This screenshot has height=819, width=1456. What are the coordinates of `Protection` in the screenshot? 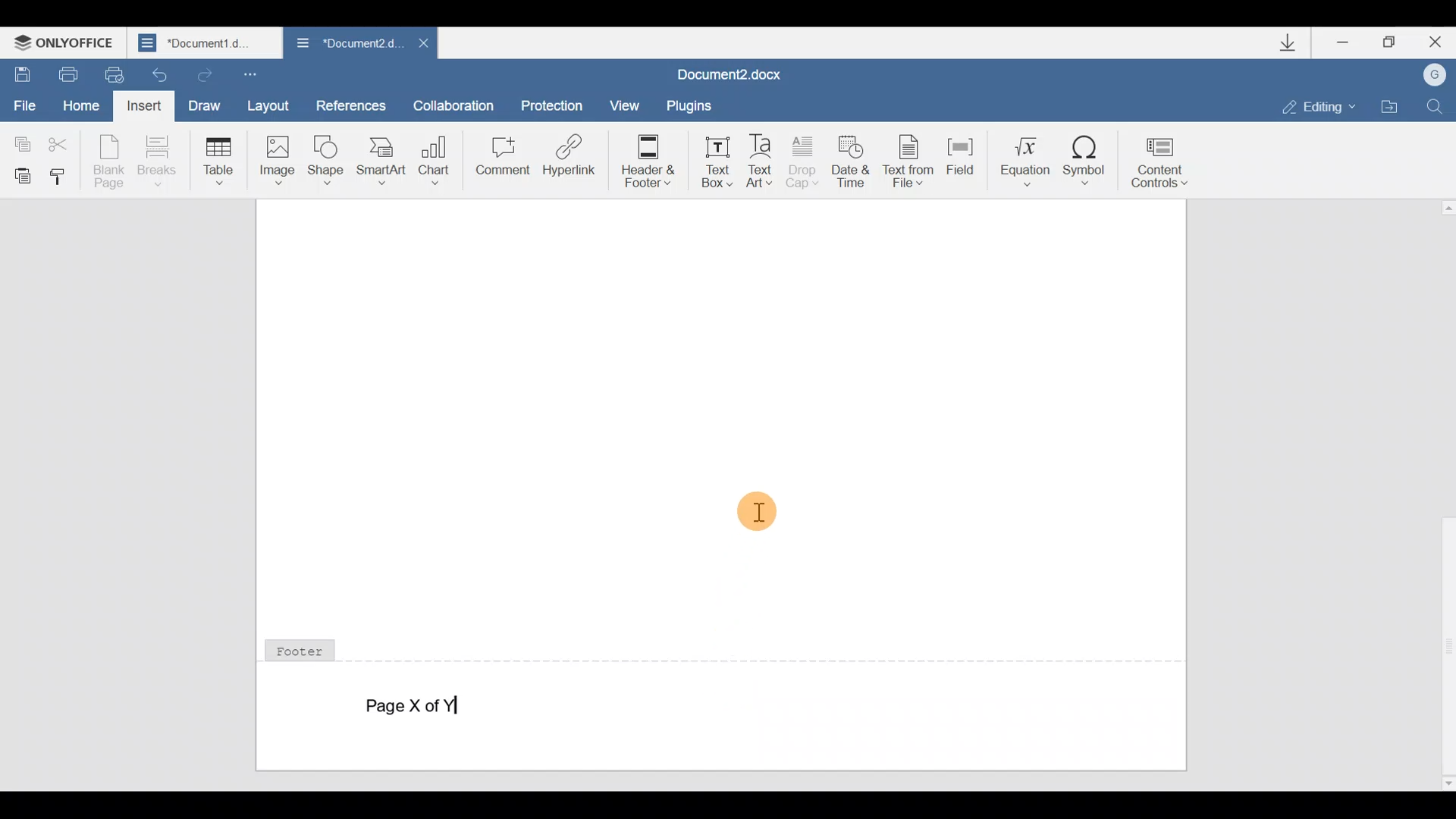 It's located at (552, 99).